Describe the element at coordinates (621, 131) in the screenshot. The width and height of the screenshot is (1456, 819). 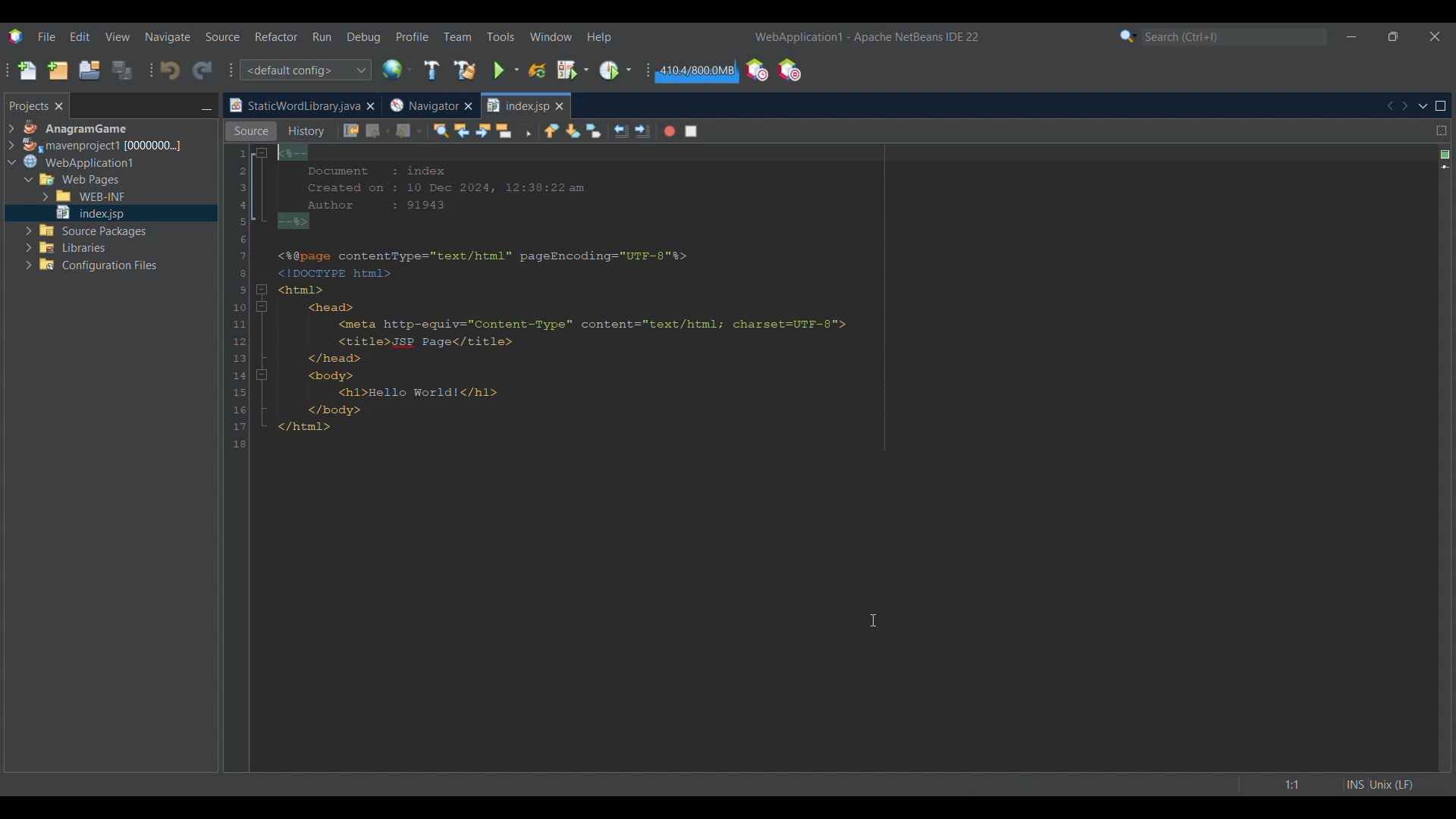
I see `Shift line left` at that location.